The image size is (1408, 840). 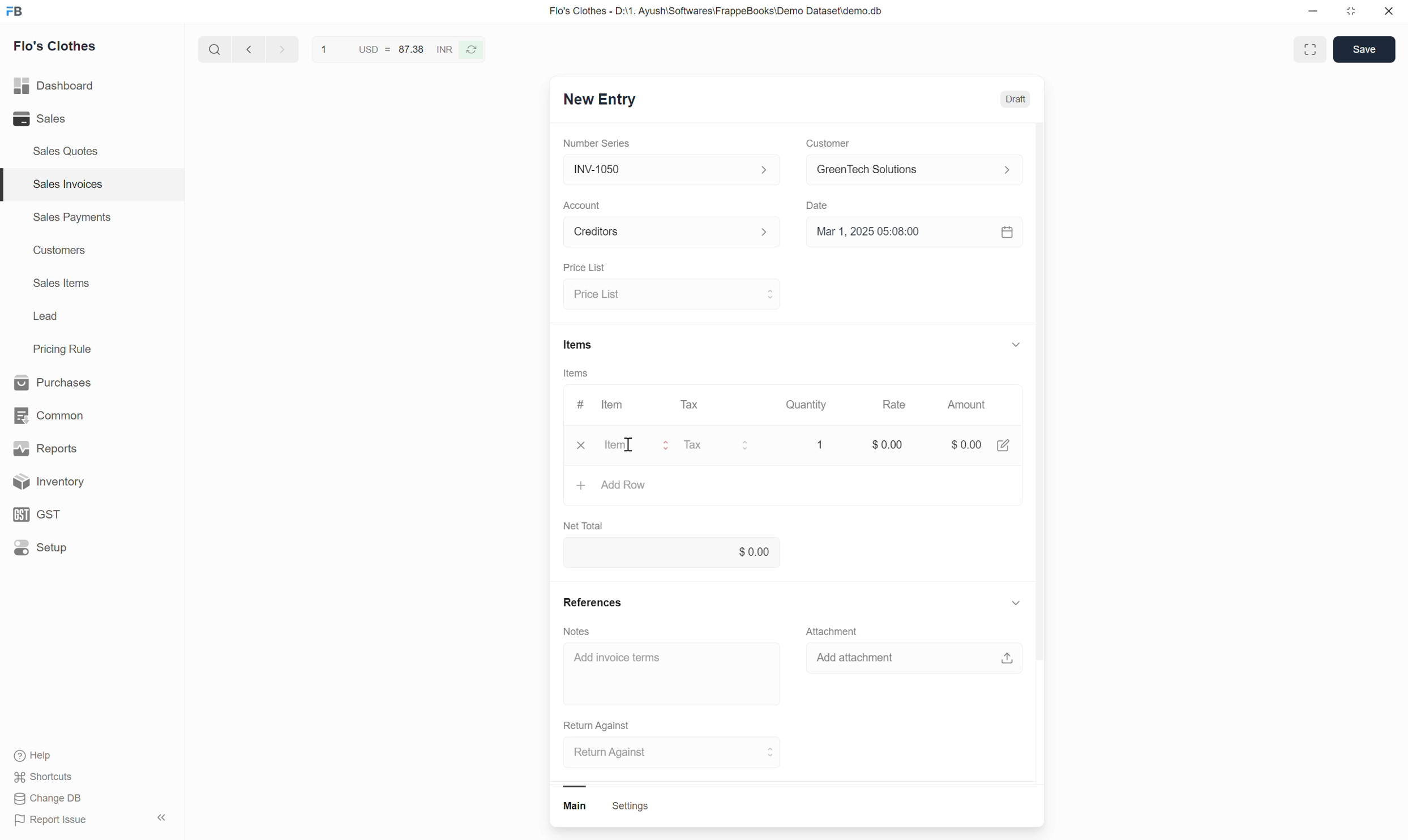 I want to click on search , so click(x=212, y=52).